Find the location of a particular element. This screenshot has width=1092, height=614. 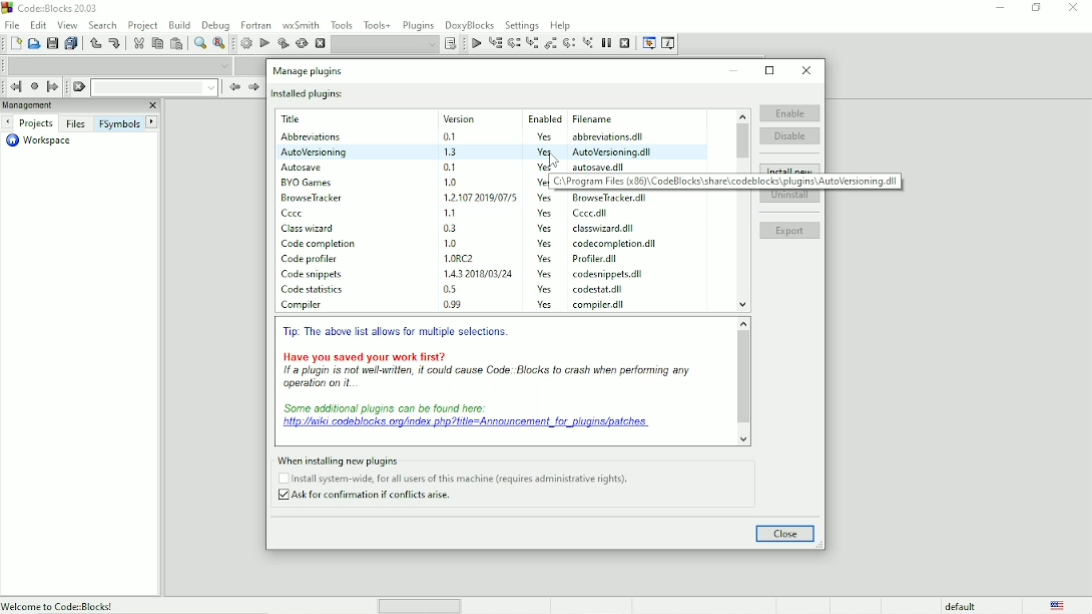

Fortran is located at coordinates (256, 25).